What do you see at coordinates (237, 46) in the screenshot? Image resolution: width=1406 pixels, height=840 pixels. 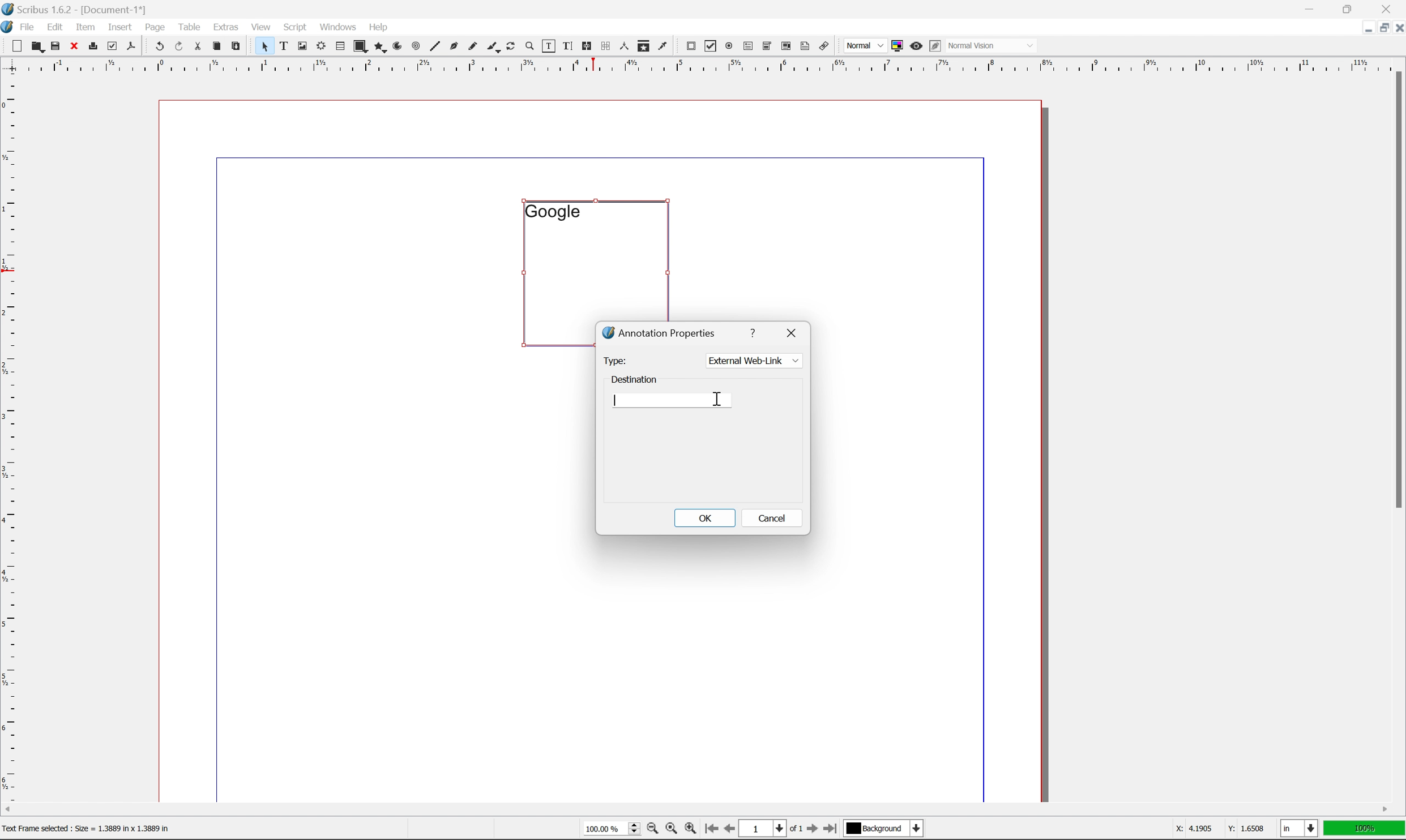 I see `paste` at bounding box center [237, 46].